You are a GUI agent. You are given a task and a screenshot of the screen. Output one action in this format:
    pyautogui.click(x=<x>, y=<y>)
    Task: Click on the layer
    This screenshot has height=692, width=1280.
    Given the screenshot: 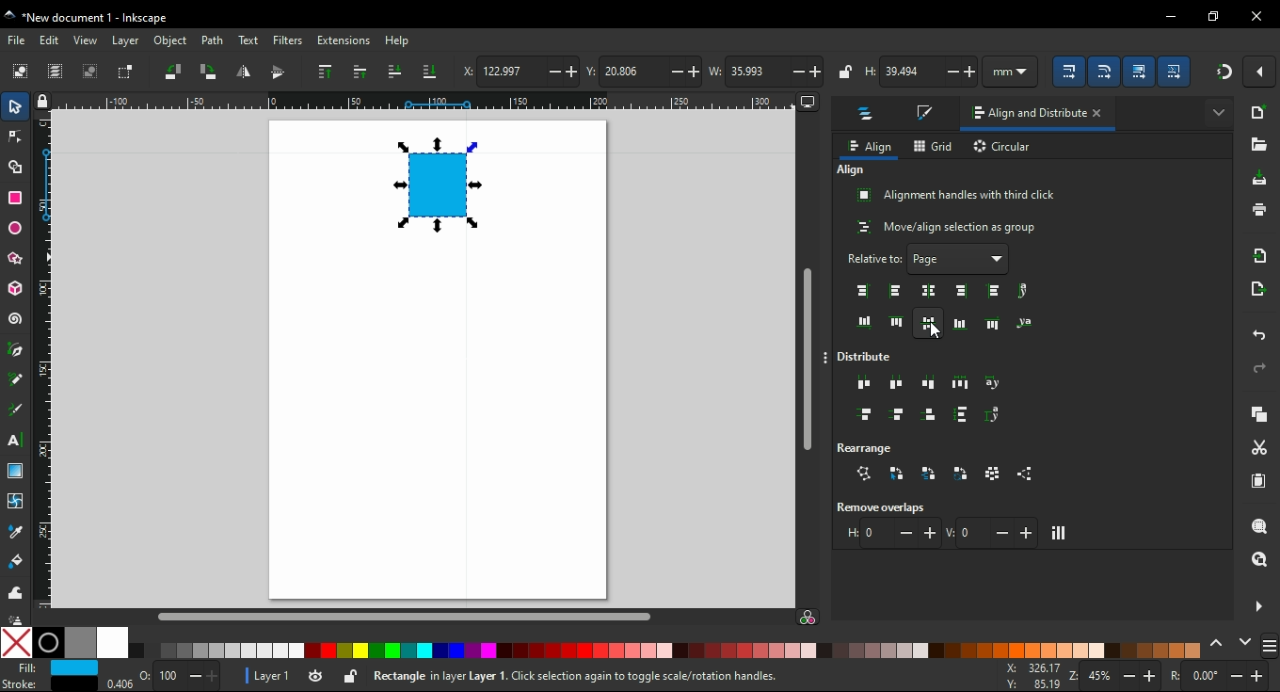 What is the action you would take?
    pyautogui.click(x=265, y=675)
    